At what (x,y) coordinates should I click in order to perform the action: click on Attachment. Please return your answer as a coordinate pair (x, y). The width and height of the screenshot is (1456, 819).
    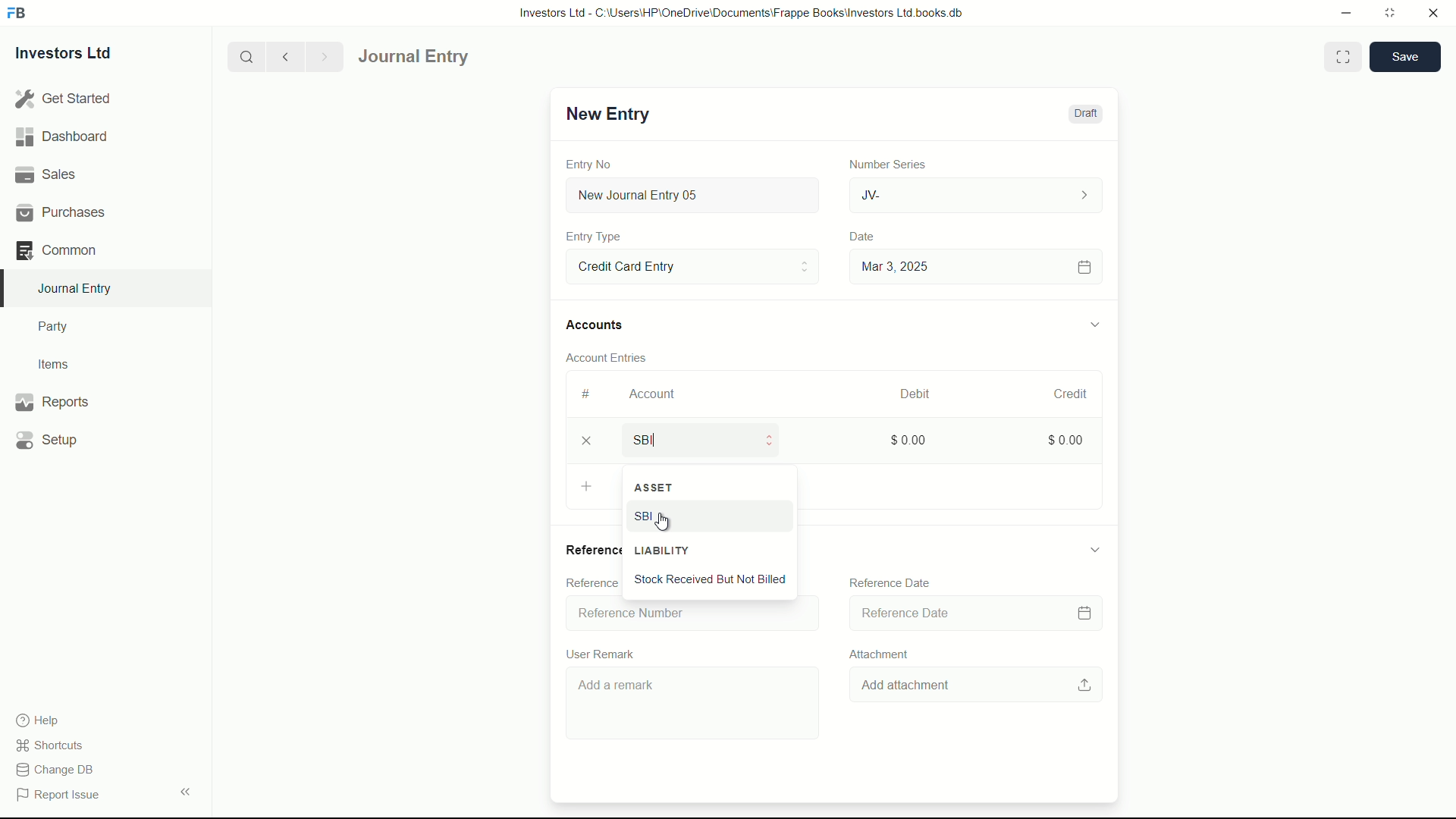
    Looking at the image, I should click on (875, 653).